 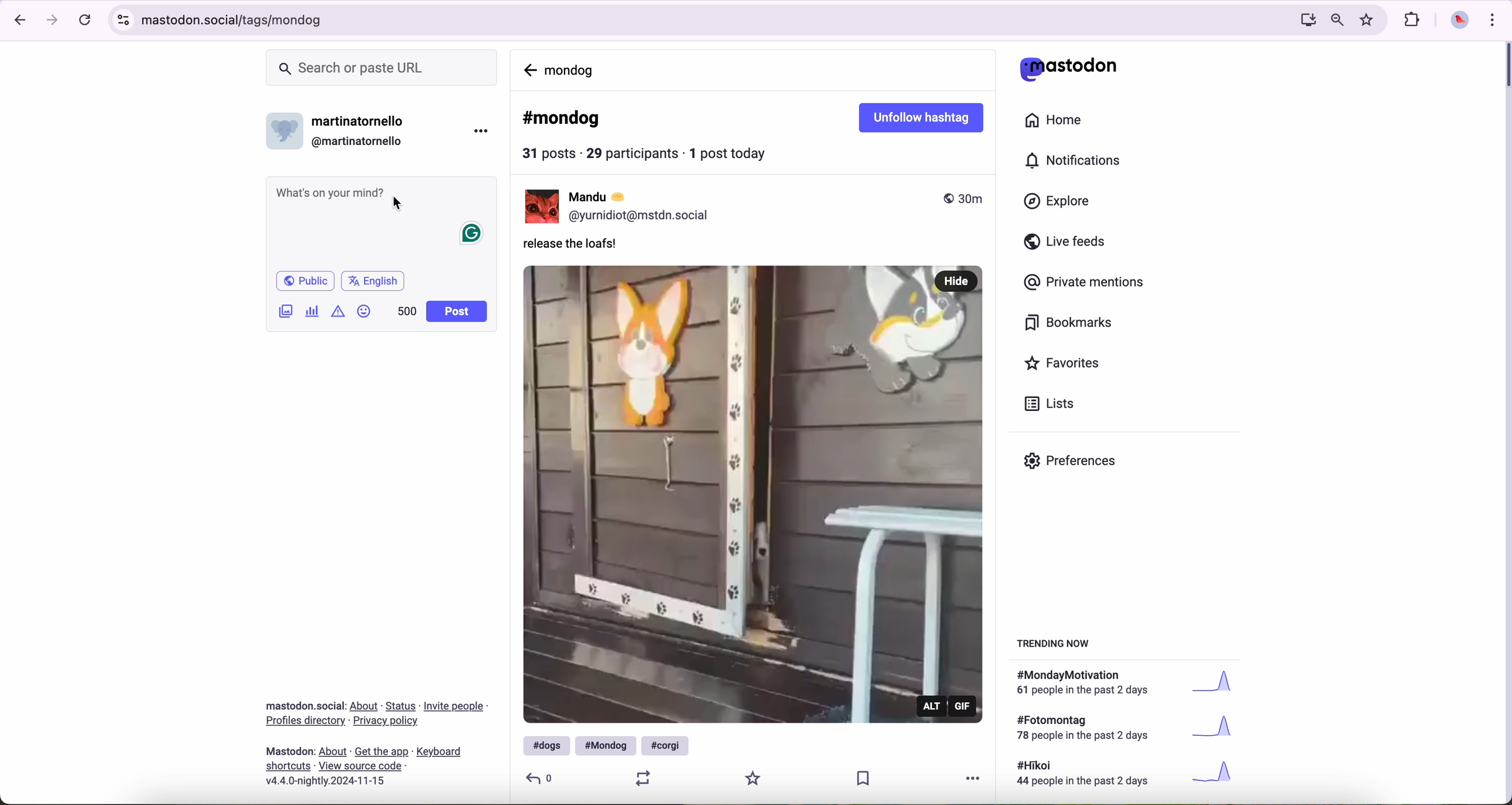 I want to click on home, so click(x=1055, y=119).